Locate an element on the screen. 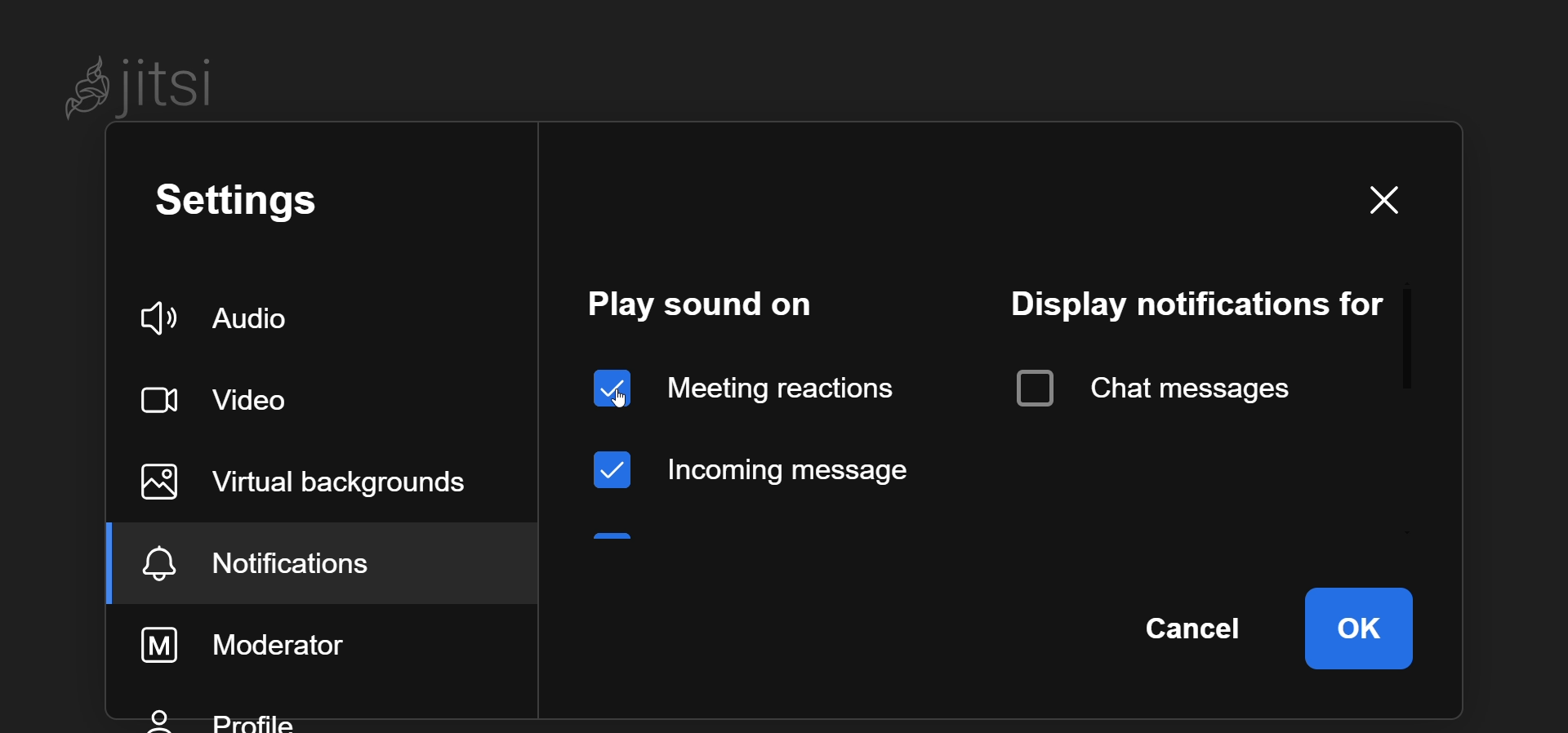 This screenshot has height=733, width=1568. incoming message is located at coordinates (749, 469).